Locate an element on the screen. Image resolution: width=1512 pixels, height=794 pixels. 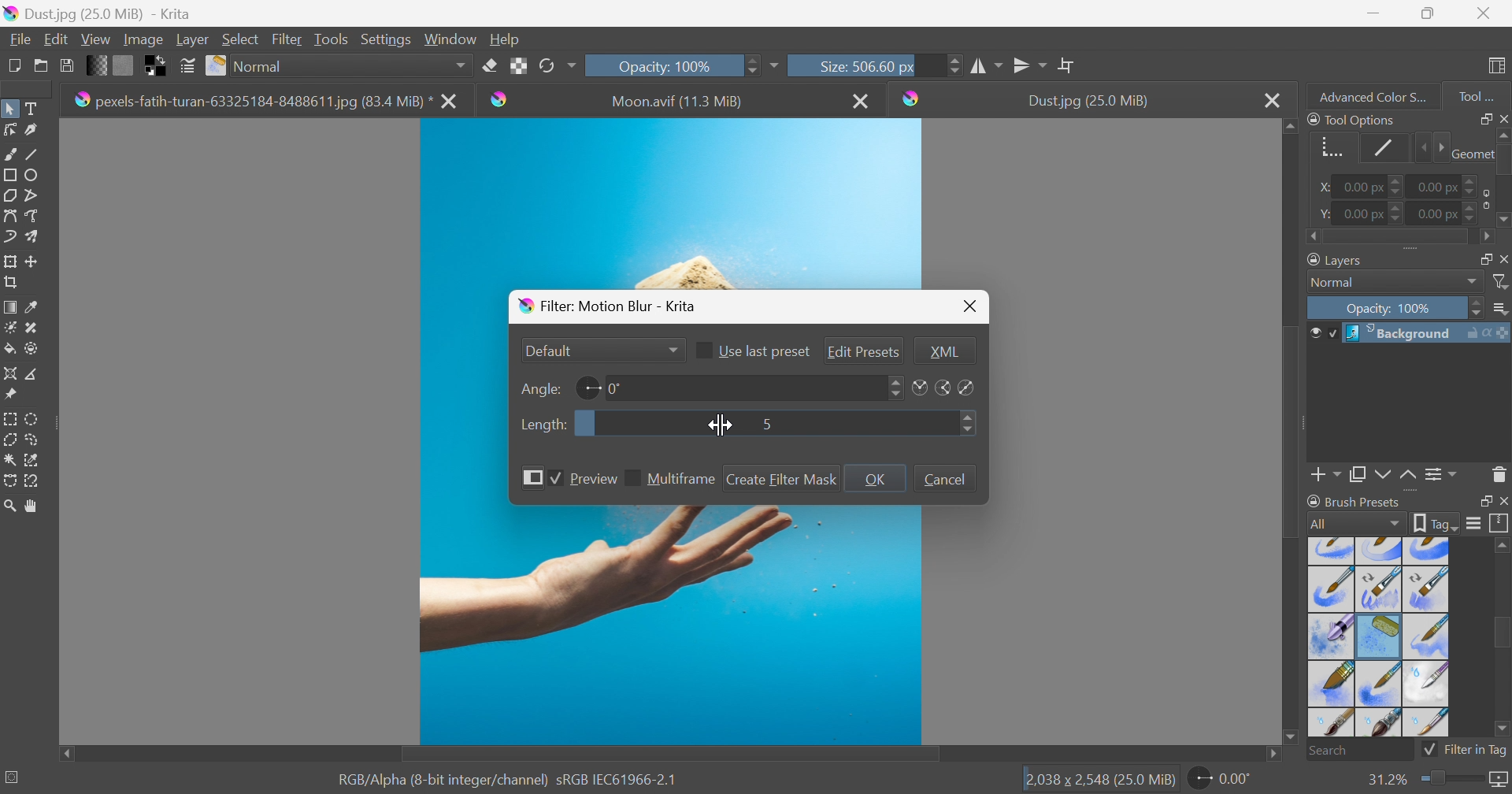
Filter: Motion Blur - Krita is located at coordinates (610, 305).